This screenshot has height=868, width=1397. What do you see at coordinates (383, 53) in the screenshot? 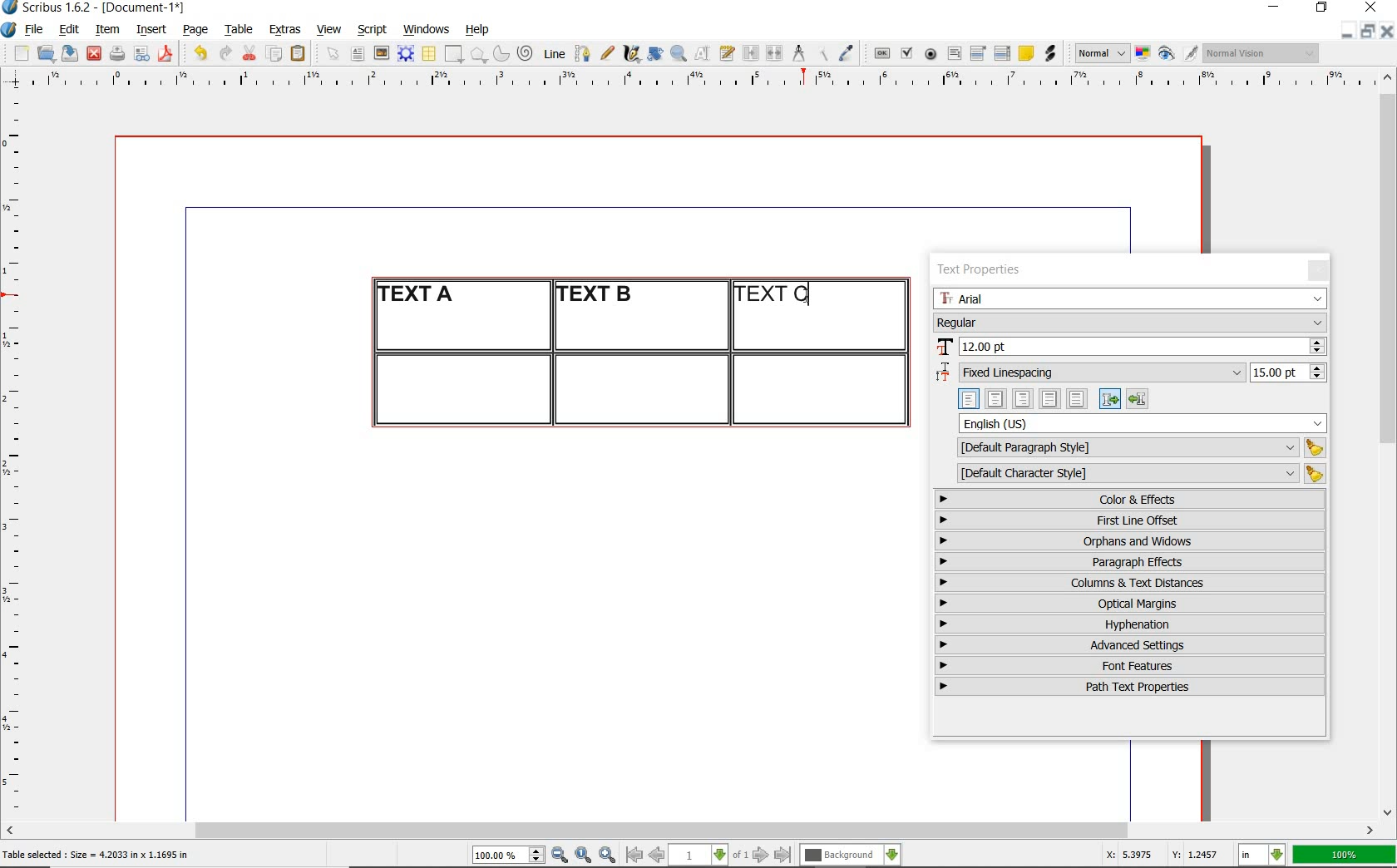
I see `image frame` at bounding box center [383, 53].